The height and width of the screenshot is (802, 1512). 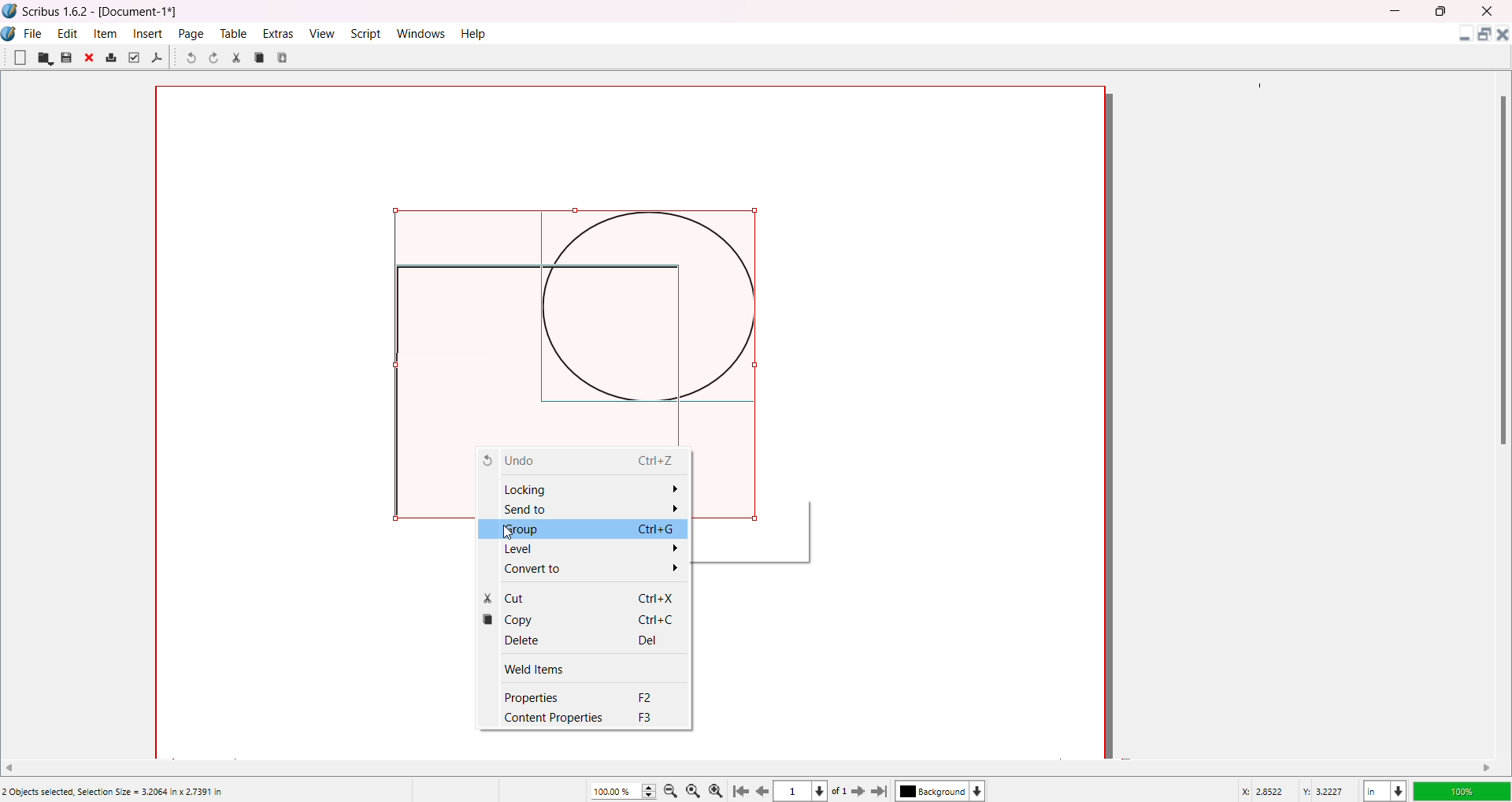 What do you see at coordinates (585, 529) in the screenshot?
I see `Group` at bounding box center [585, 529].